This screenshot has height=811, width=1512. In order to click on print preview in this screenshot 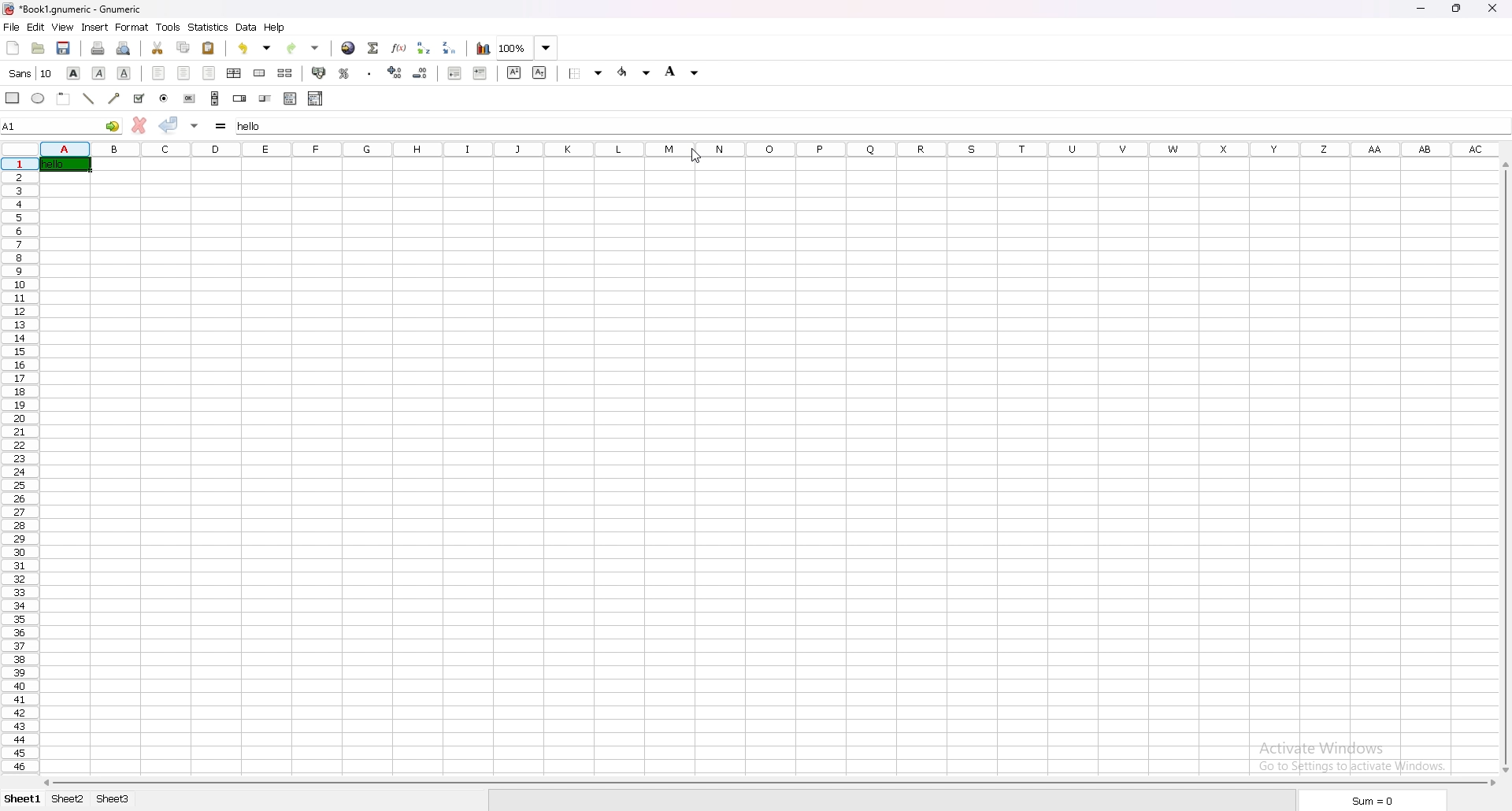, I will do `click(124, 49)`.